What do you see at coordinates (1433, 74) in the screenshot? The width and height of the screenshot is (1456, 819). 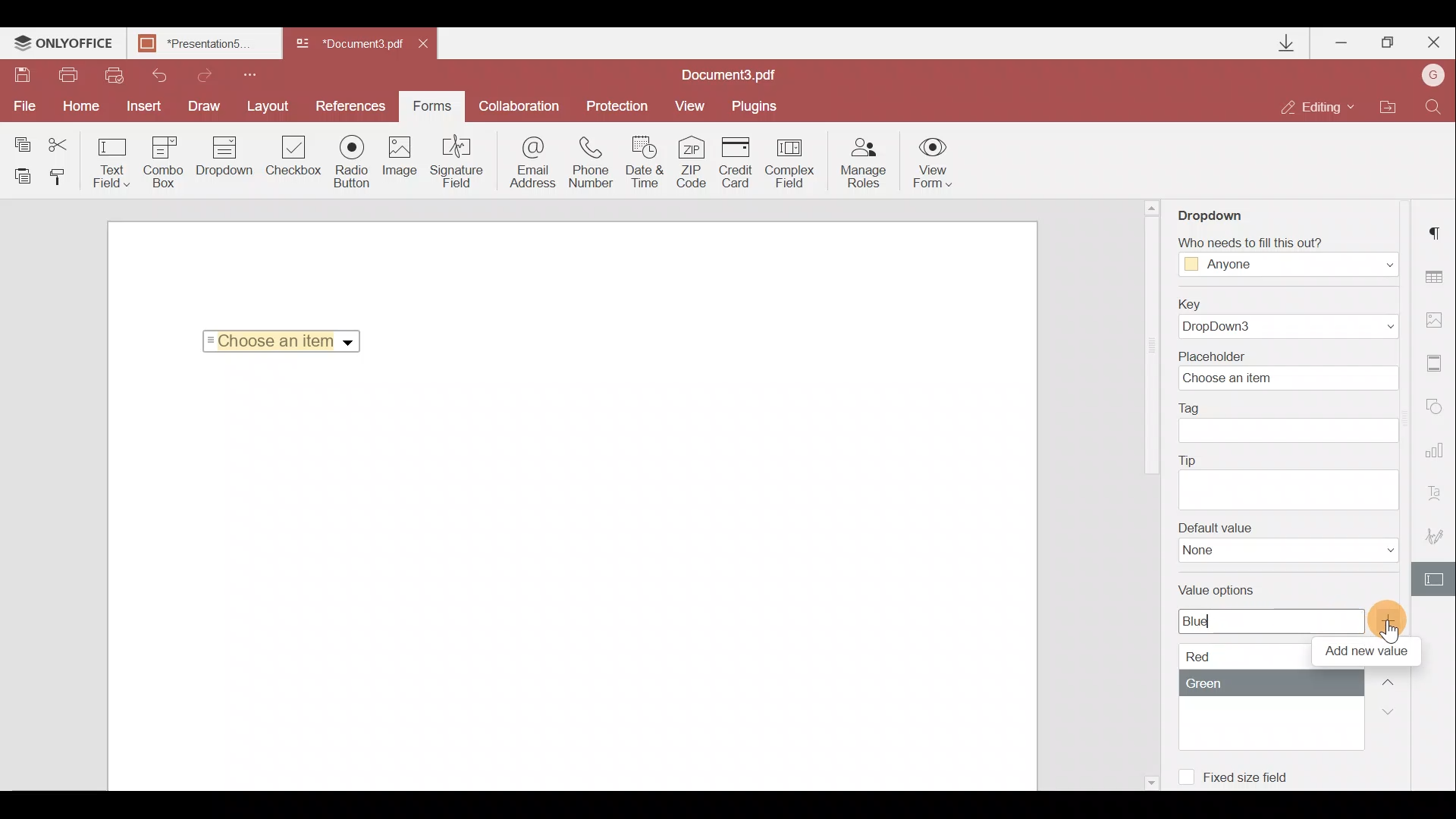 I see `Account name` at bounding box center [1433, 74].